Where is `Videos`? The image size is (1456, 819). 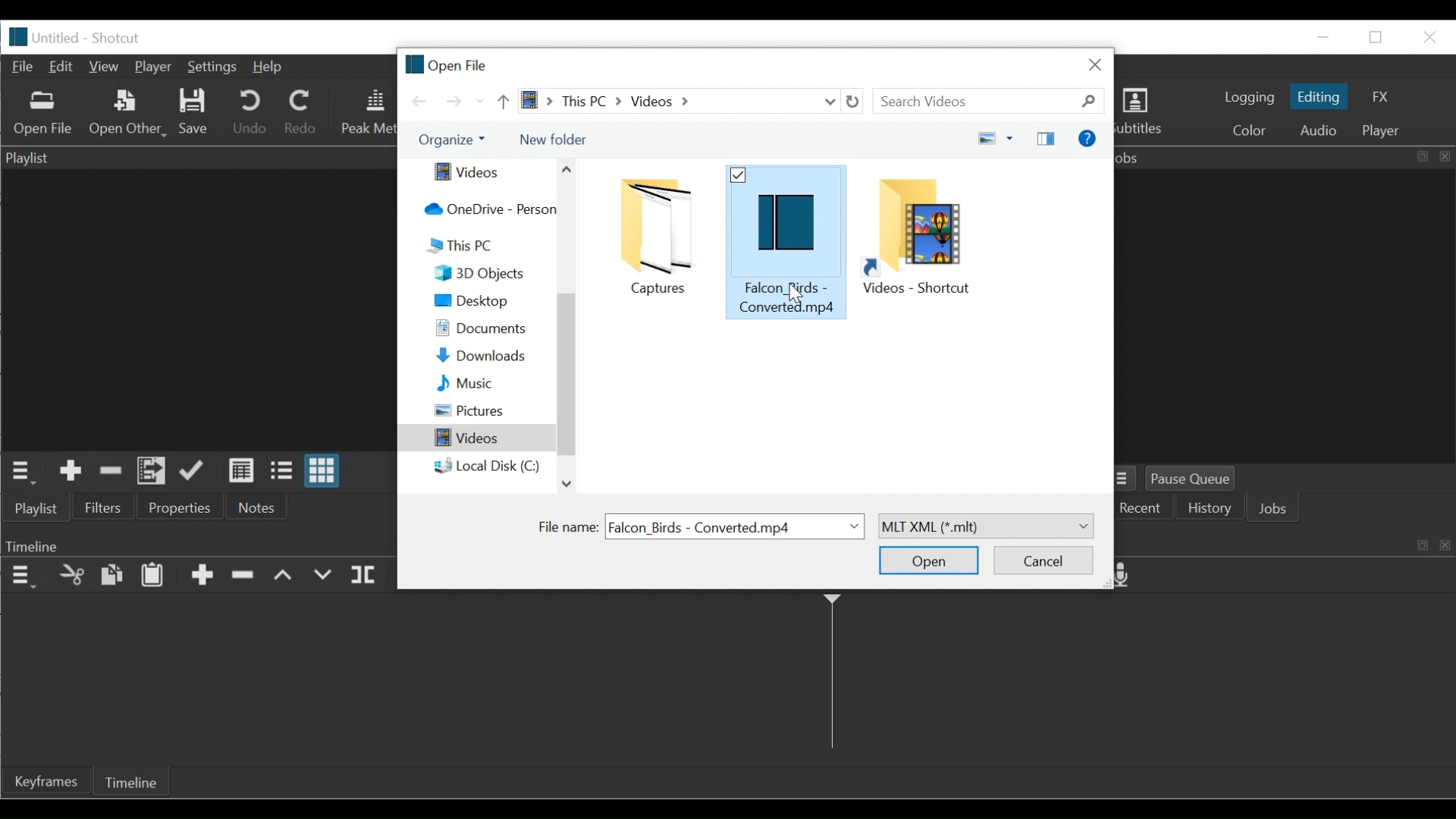
Videos is located at coordinates (479, 173).